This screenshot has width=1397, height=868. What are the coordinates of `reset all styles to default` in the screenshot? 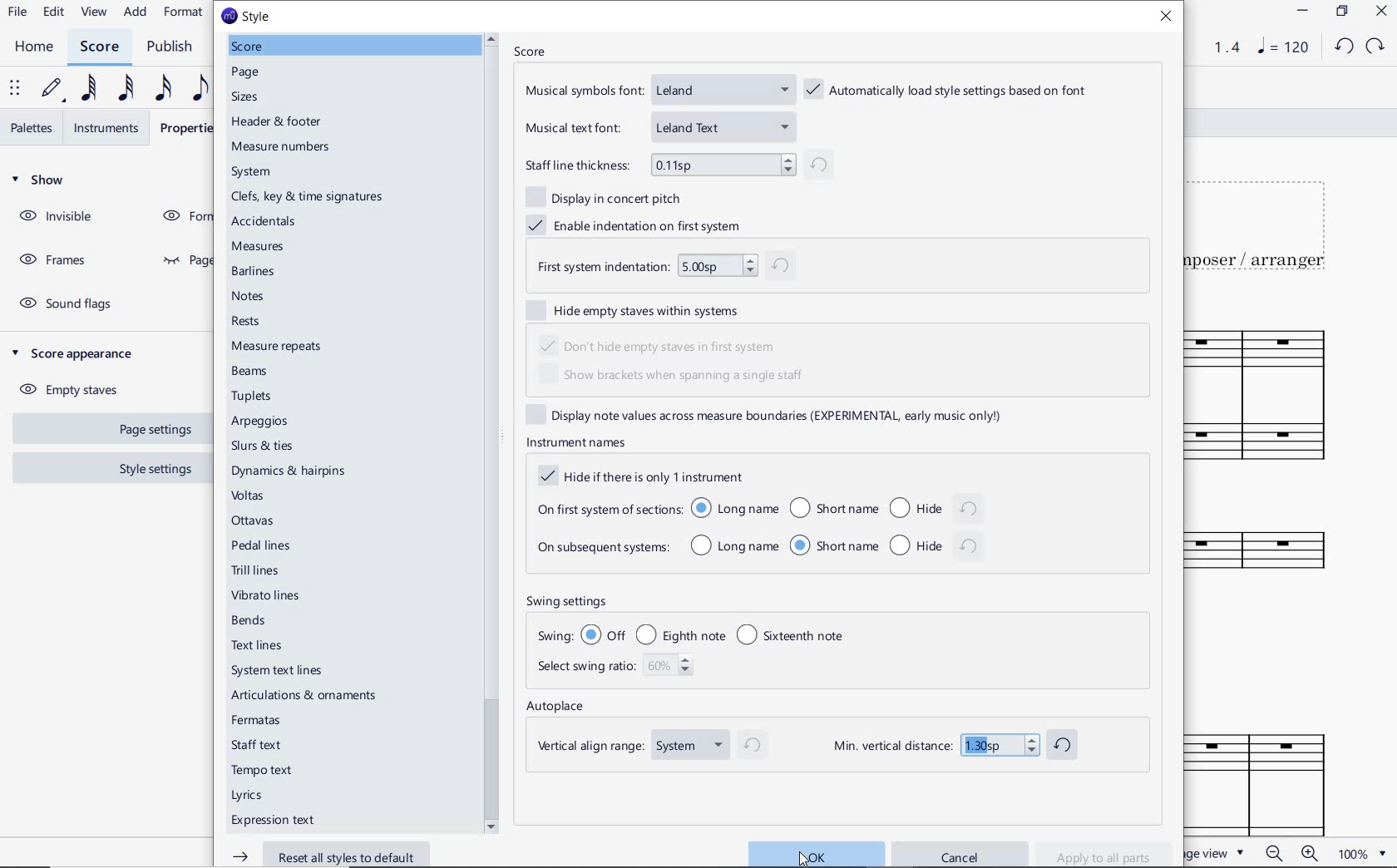 It's located at (326, 856).